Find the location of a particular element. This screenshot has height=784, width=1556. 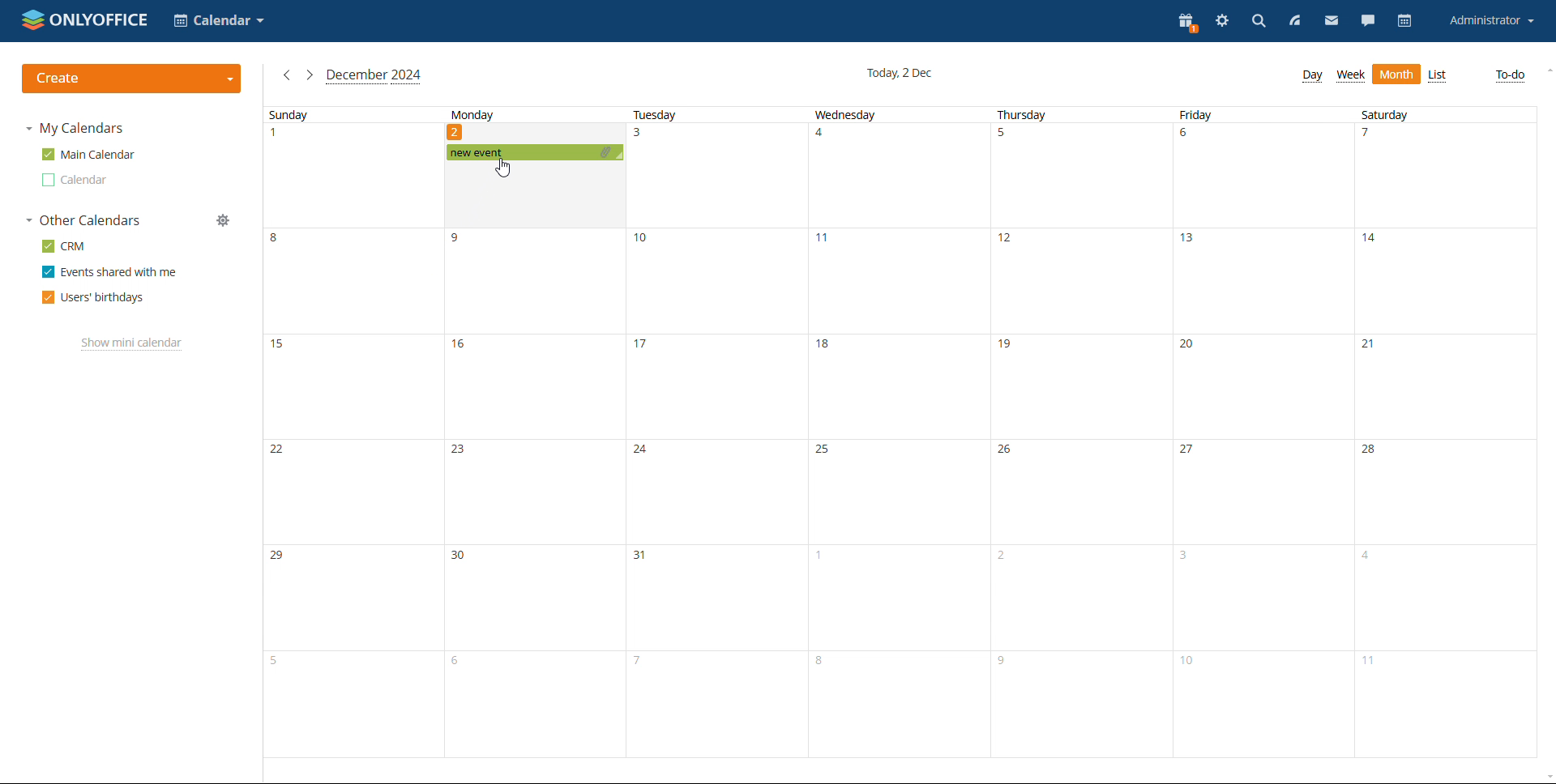

To-do is located at coordinates (1510, 75).